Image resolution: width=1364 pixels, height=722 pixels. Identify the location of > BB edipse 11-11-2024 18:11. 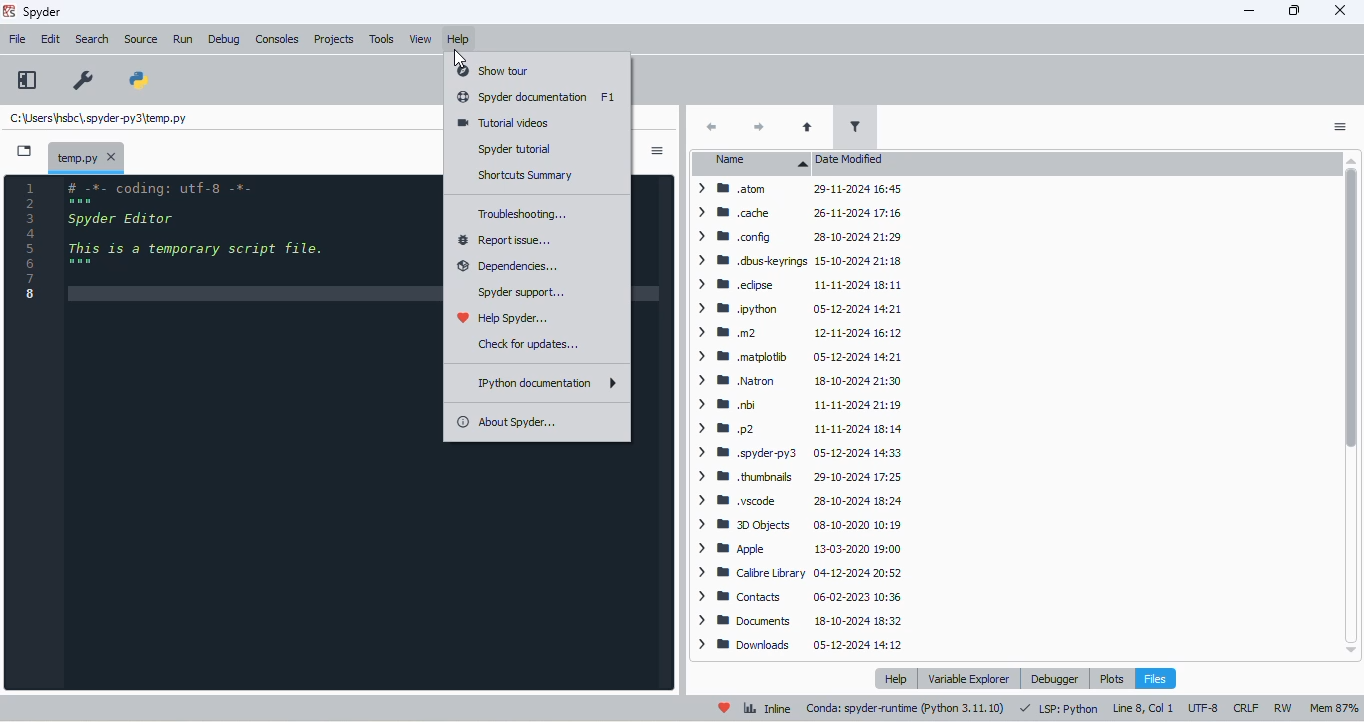
(795, 284).